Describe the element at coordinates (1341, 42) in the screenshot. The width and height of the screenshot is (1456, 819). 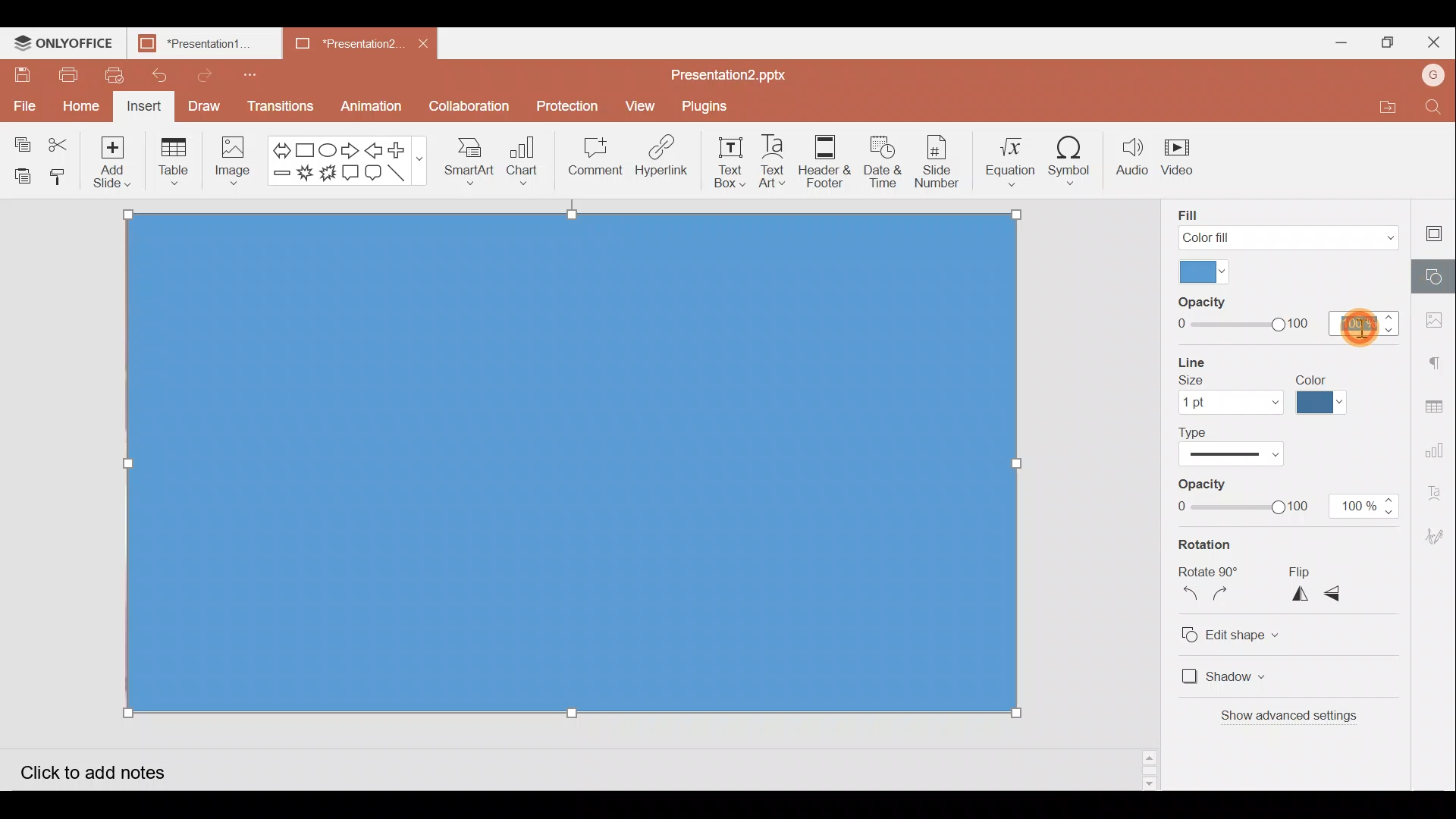
I see `Minimize` at that location.